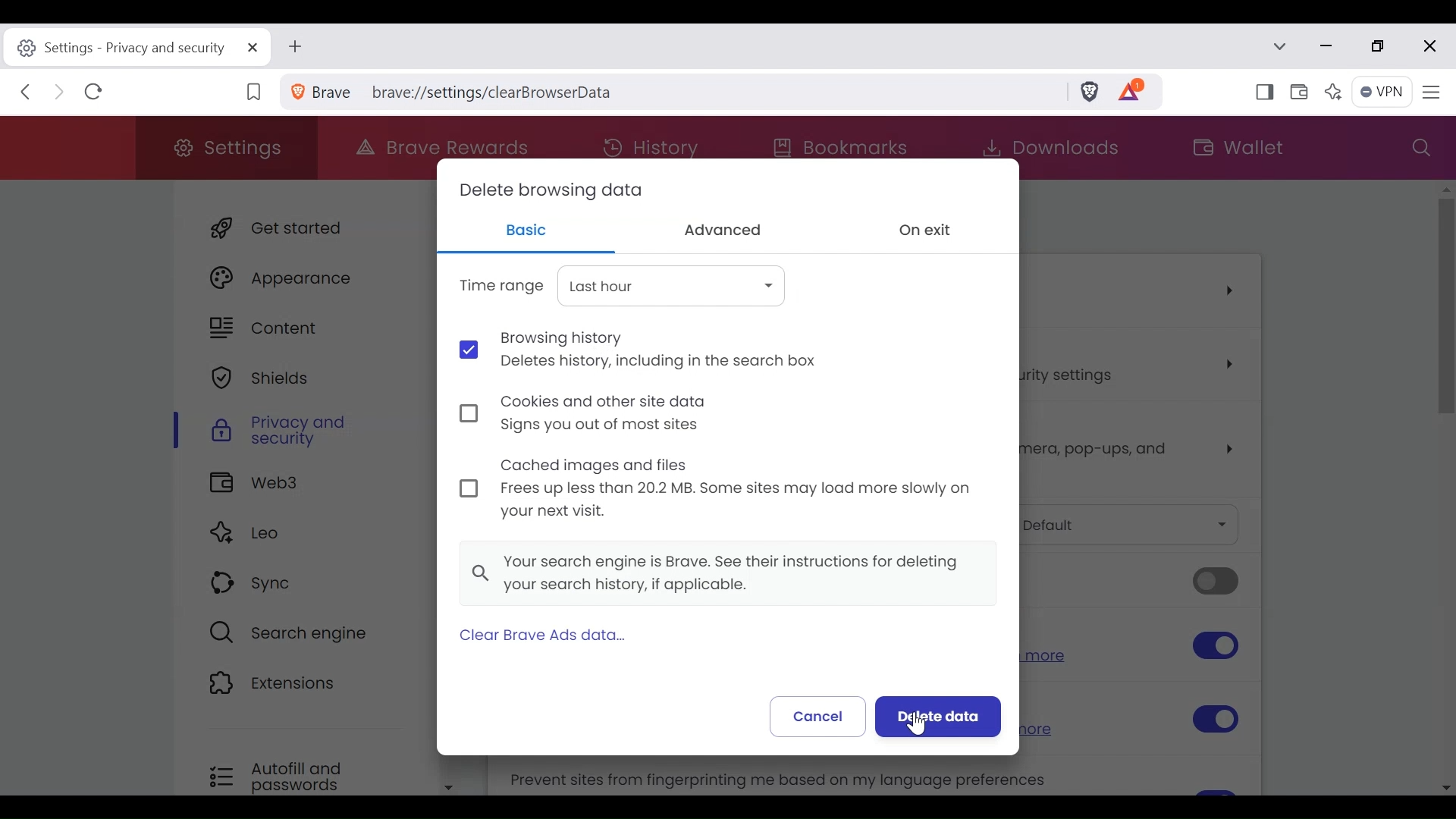 The height and width of the screenshot is (819, 1456). Describe the element at coordinates (1140, 93) in the screenshot. I see `Tokens` at that location.